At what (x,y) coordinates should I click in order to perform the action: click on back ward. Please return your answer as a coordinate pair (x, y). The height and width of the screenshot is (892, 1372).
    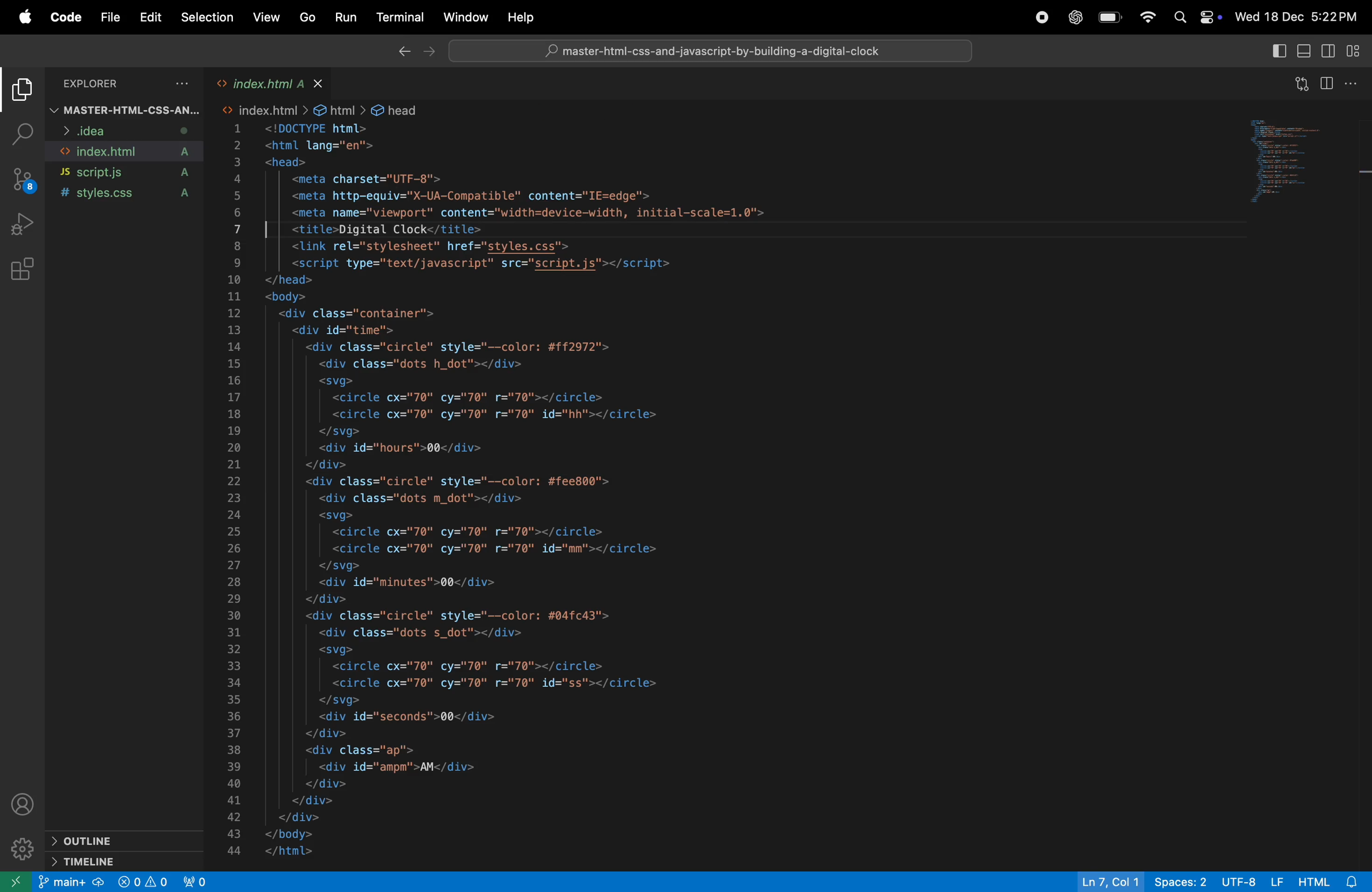
    Looking at the image, I should click on (398, 51).